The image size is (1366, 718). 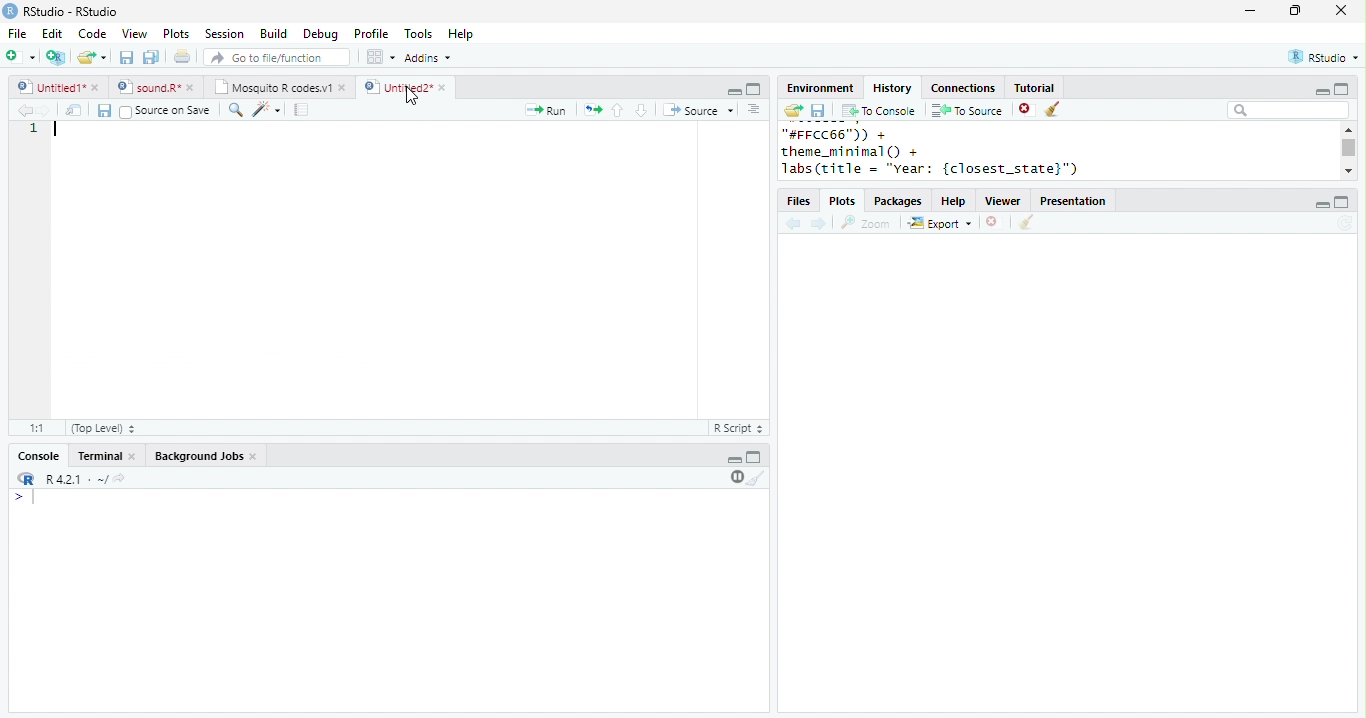 What do you see at coordinates (151, 57) in the screenshot?
I see `save all` at bounding box center [151, 57].